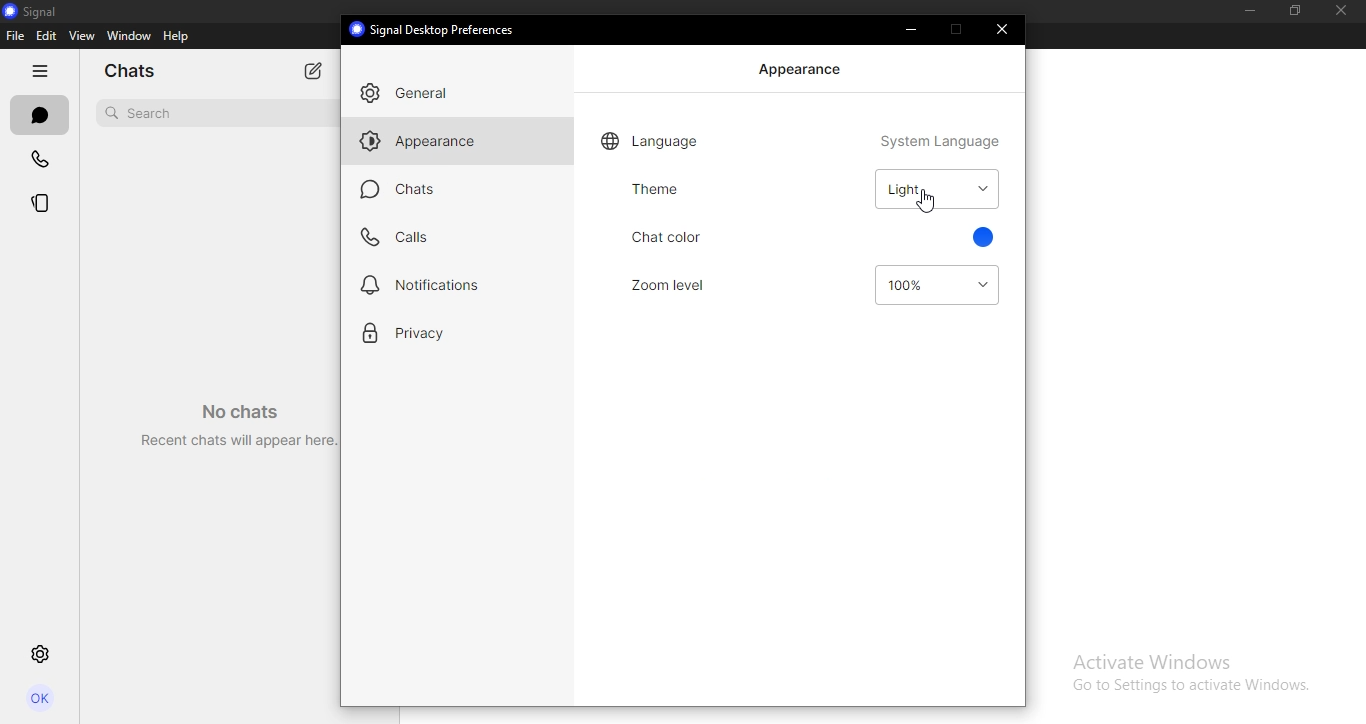 This screenshot has width=1366, height=724. What do you see at coordinates (42, 701) in the screenshot?
I see `profile` at bounding box center [42, 701].